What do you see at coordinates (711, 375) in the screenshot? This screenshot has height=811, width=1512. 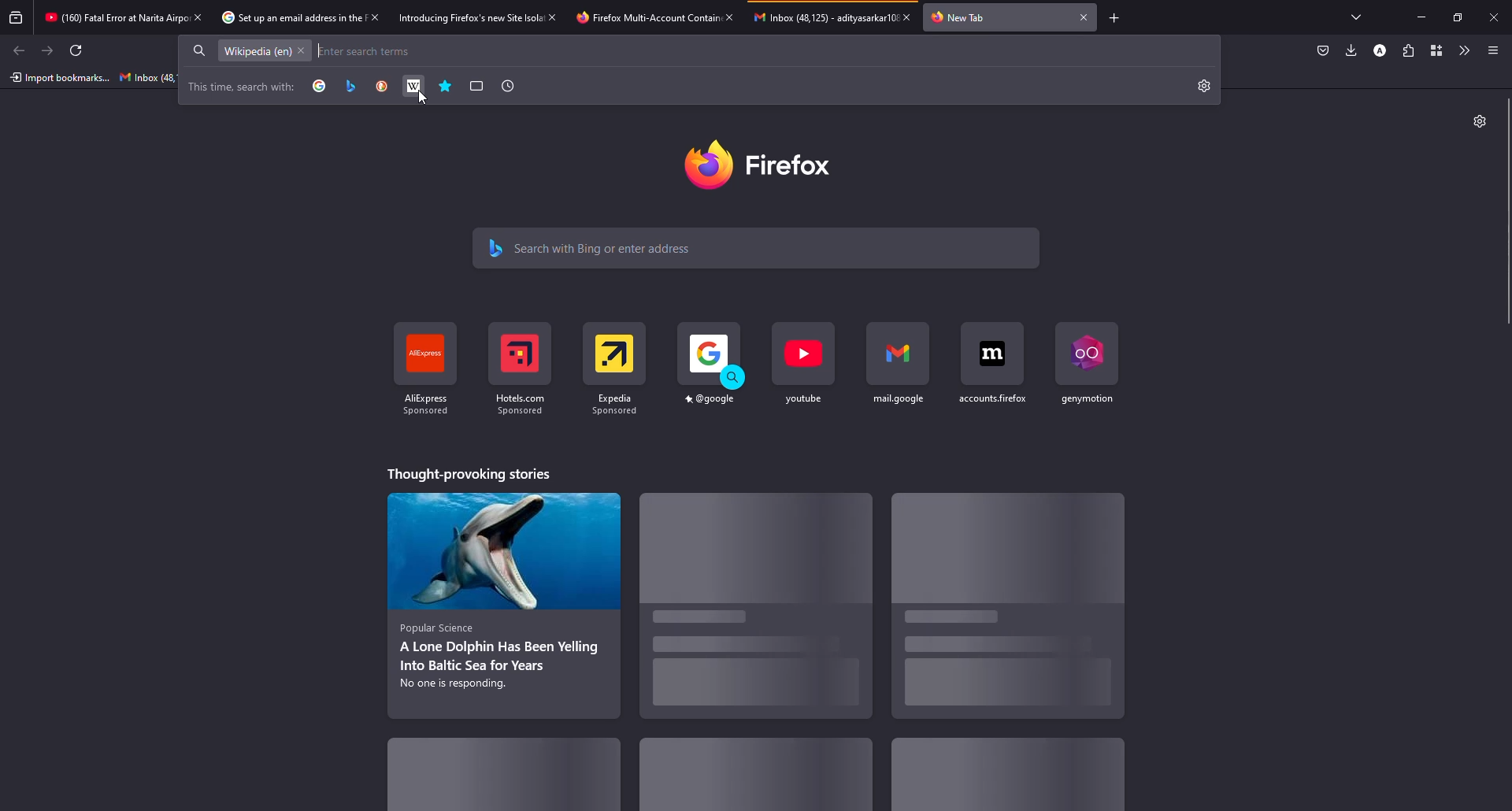 I see `shortcut` at bounding box center [711, 375].